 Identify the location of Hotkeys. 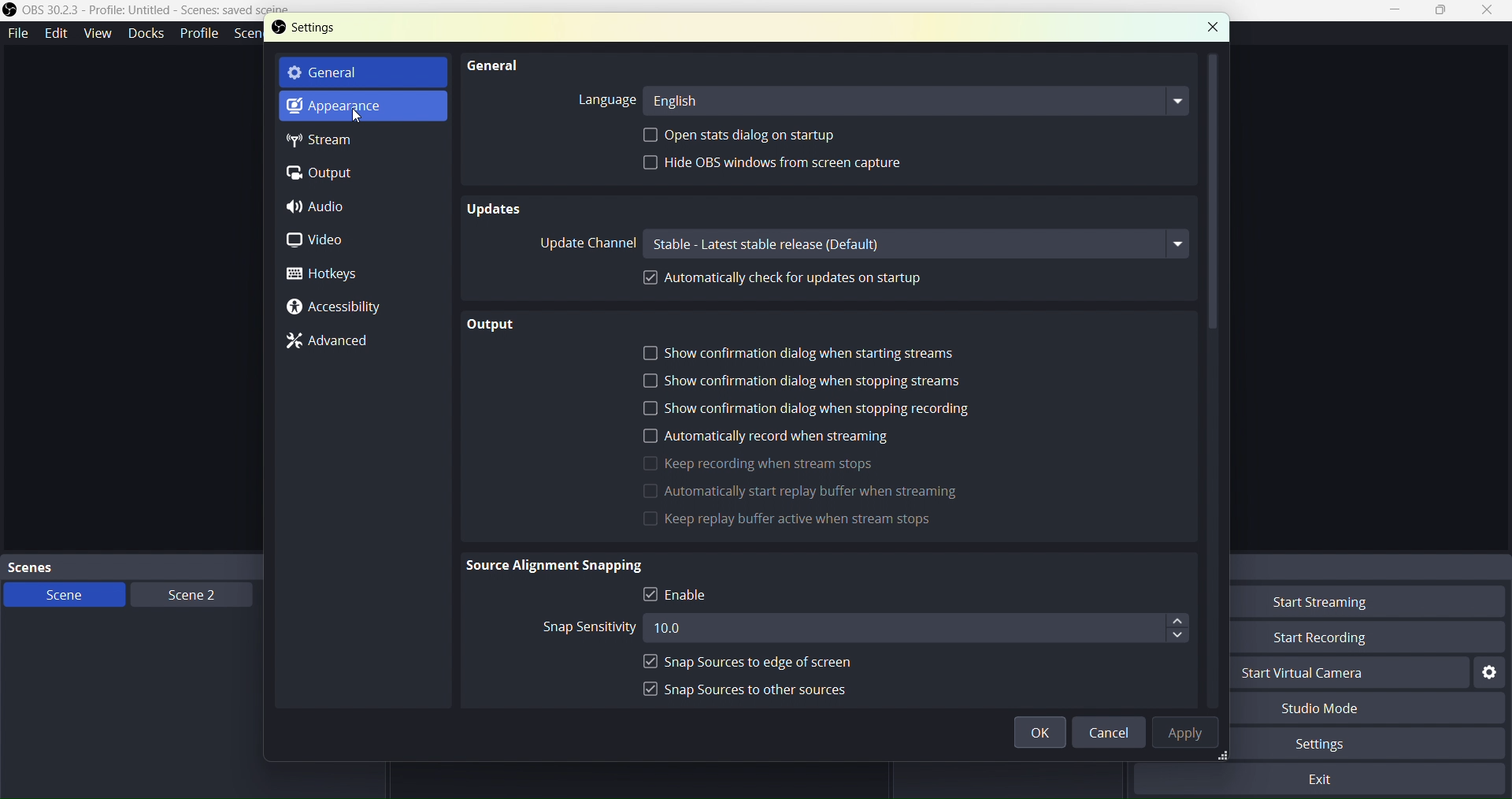
(324, 276).